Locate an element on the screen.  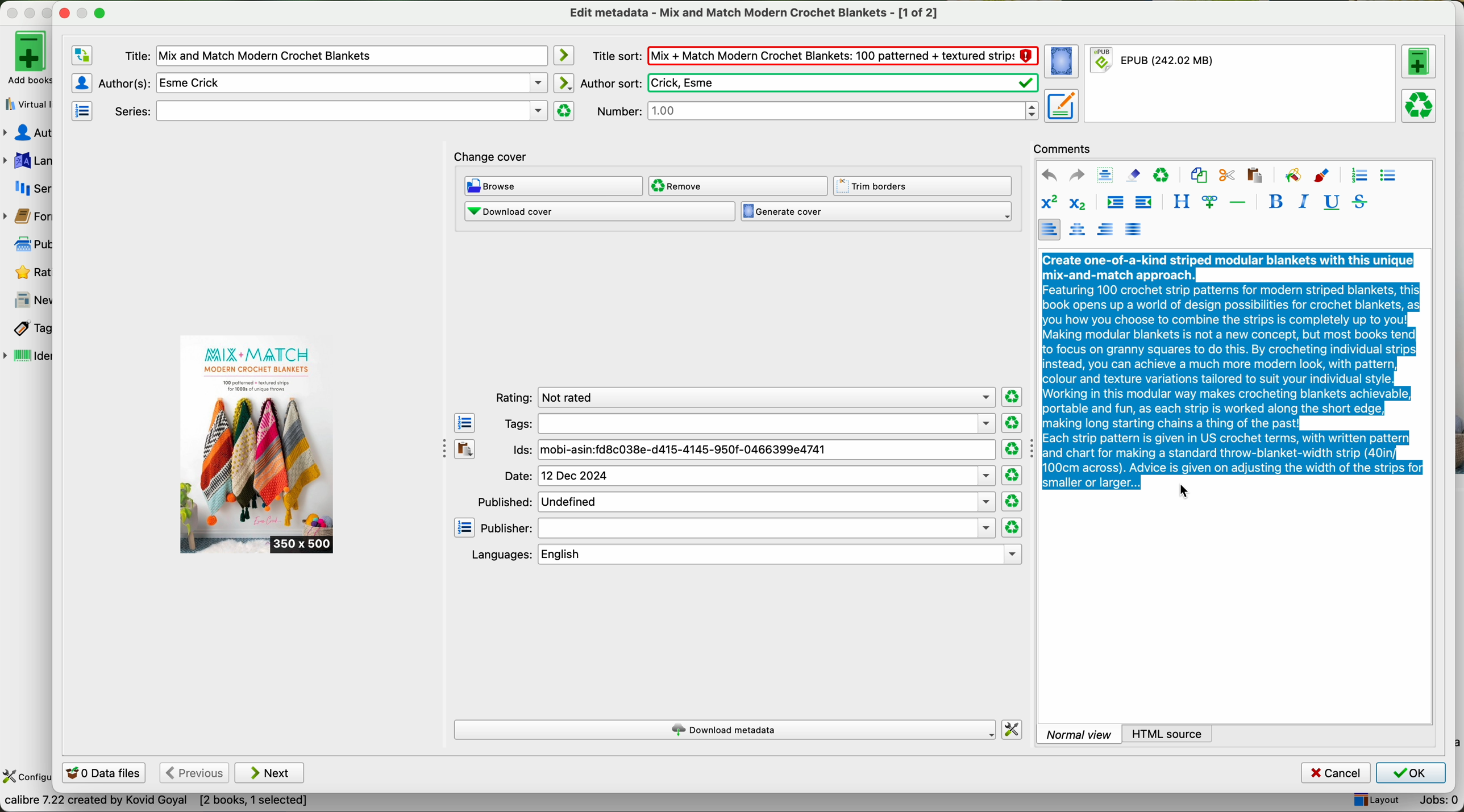
number is located at coordinates (817, 110).